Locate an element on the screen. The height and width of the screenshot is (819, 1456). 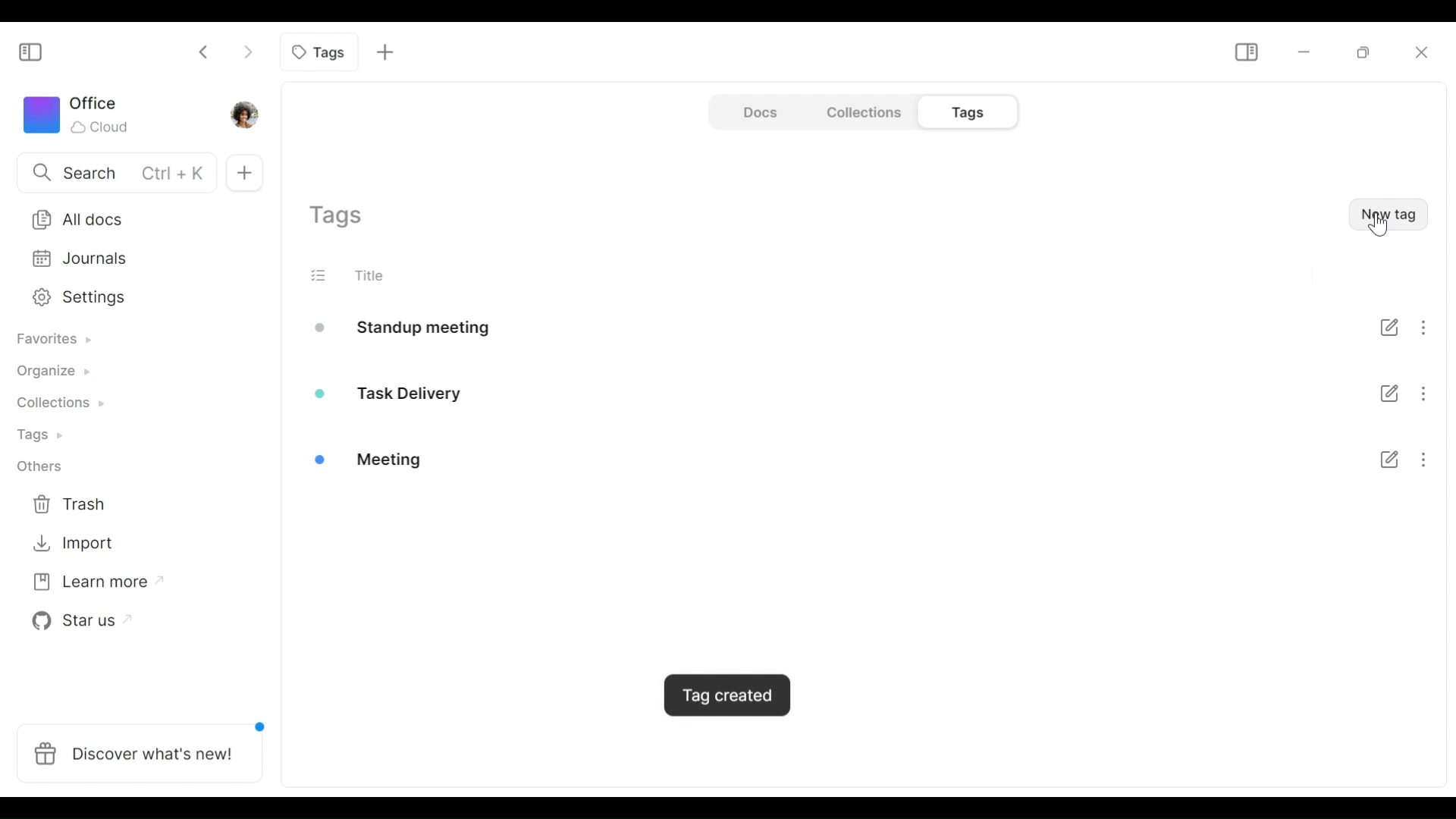
Learn more is located at coordinates (88, 585).